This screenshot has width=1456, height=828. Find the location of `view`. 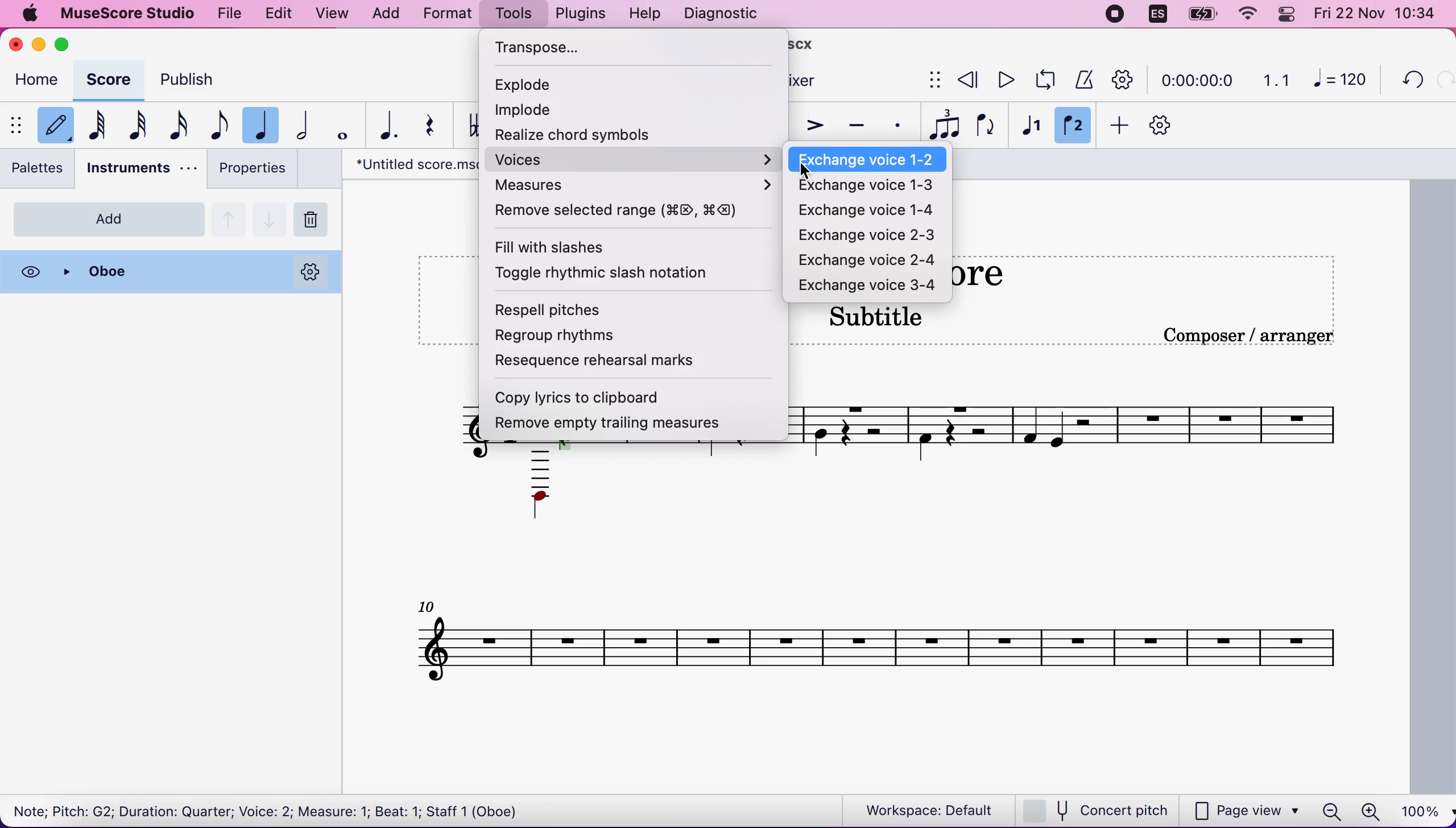

view is located at coordinates (336, 16).